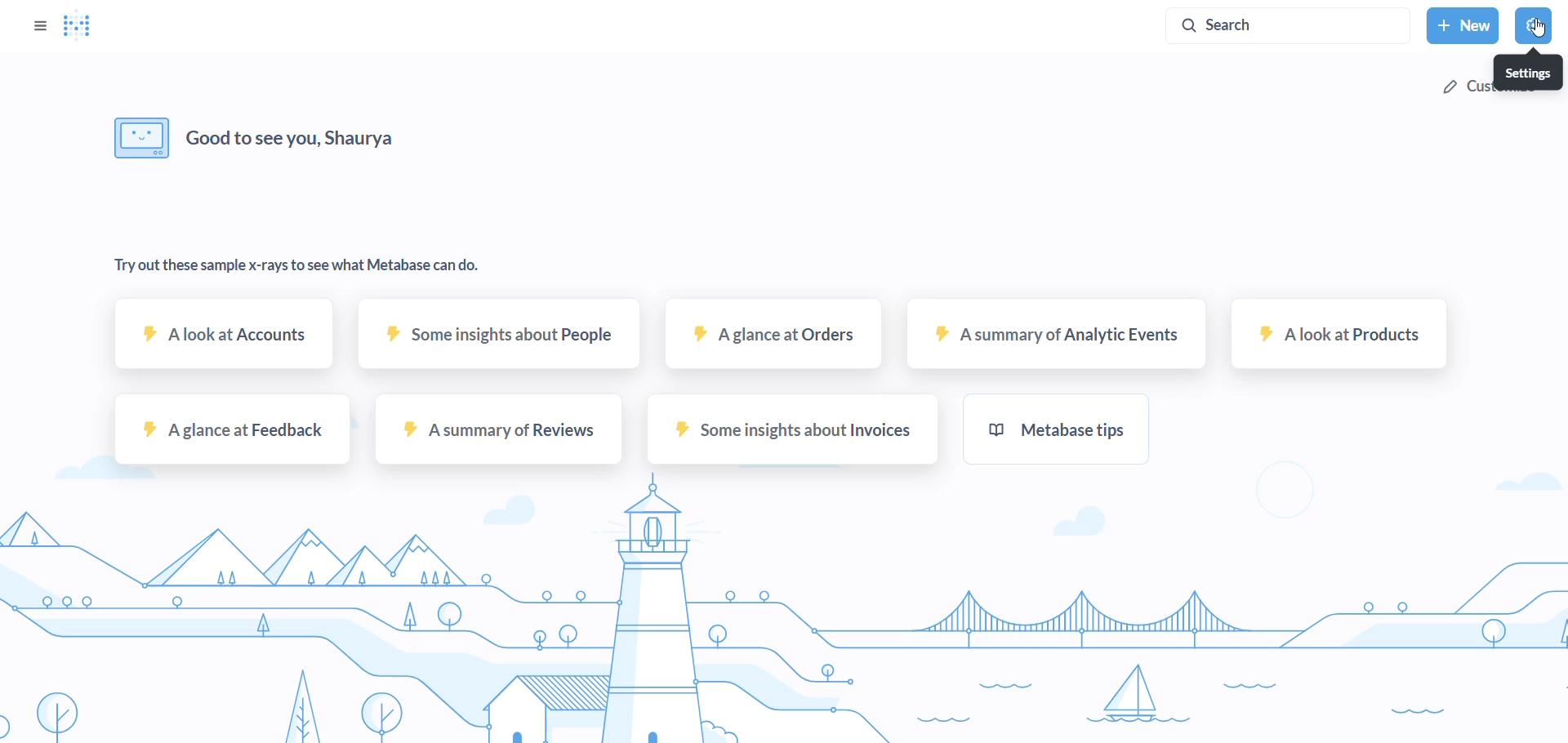 This screenshot has width=1568, height=743. I want to click on Good to see you, Shaurya, so click(257, 137).